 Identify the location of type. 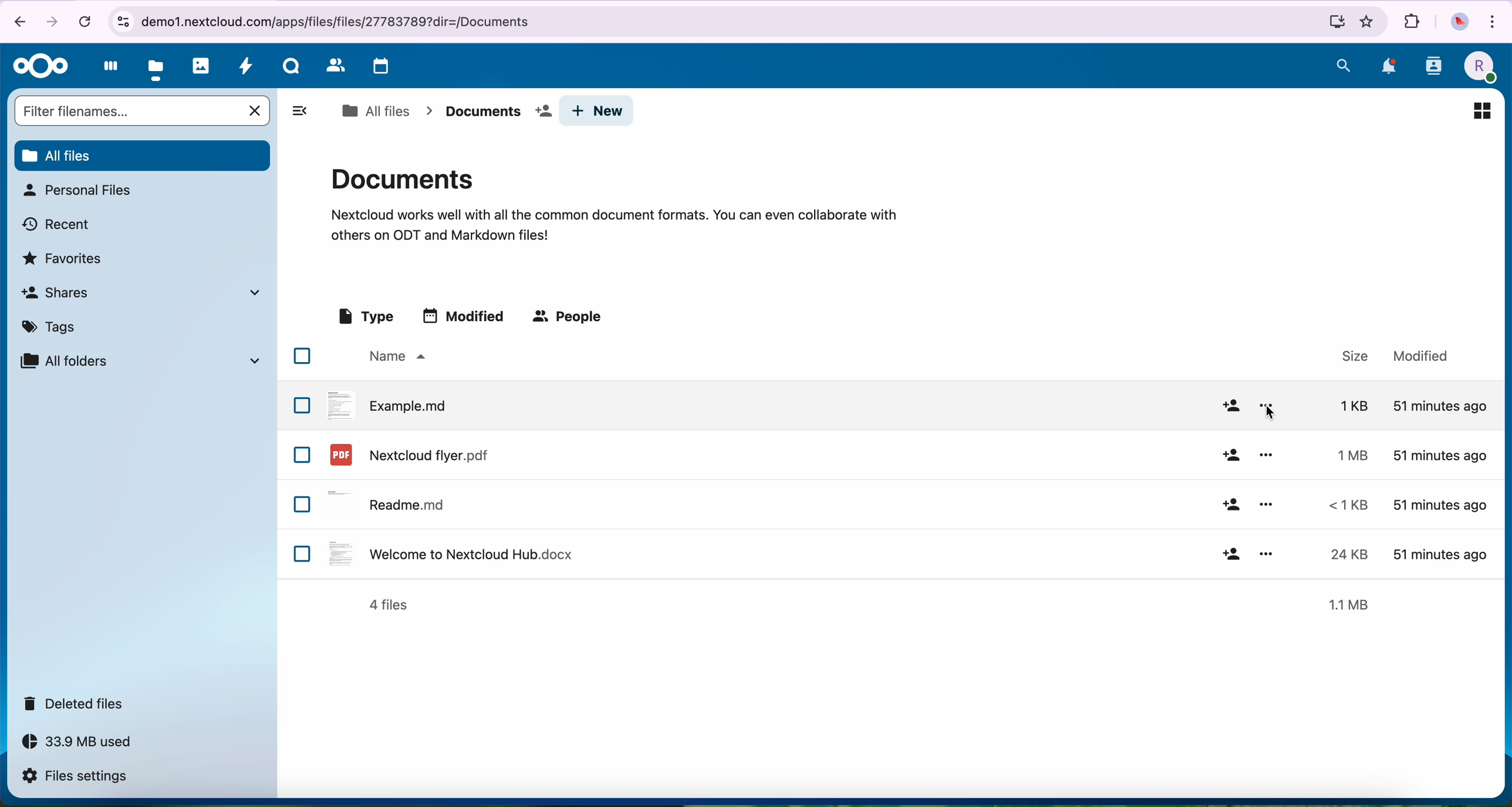
(365, 317).